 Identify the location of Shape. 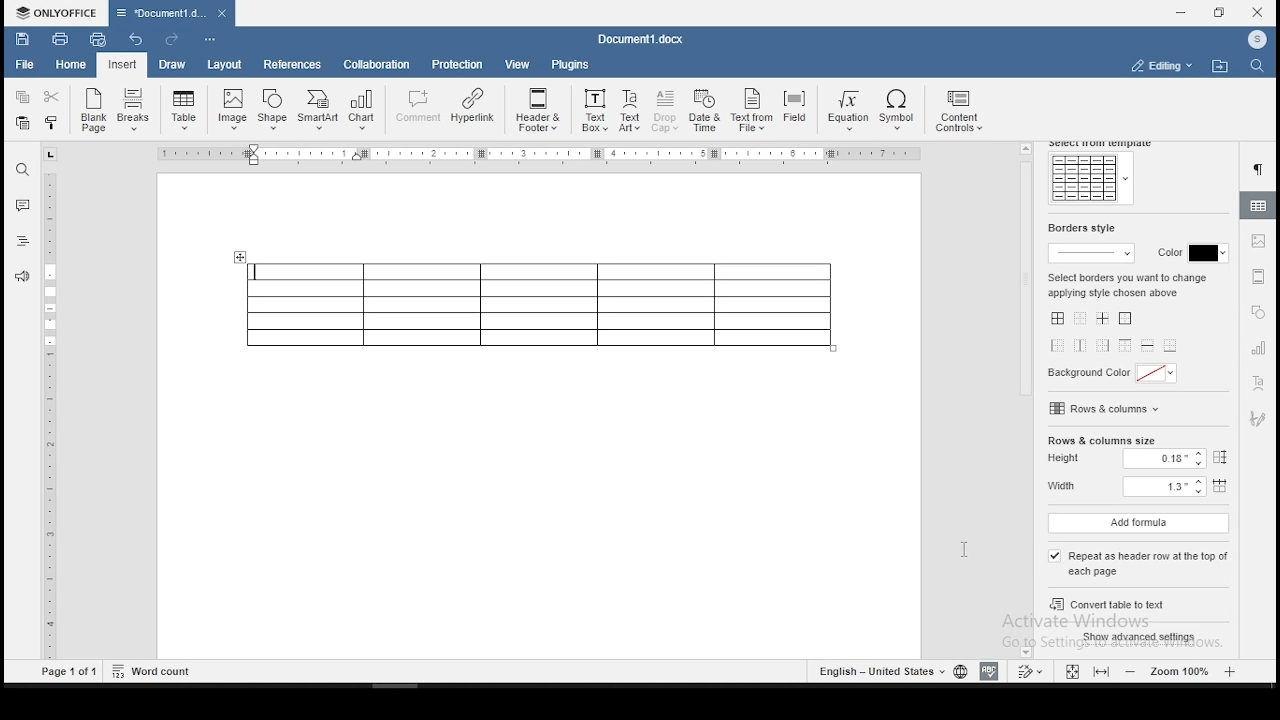
(274, 108).